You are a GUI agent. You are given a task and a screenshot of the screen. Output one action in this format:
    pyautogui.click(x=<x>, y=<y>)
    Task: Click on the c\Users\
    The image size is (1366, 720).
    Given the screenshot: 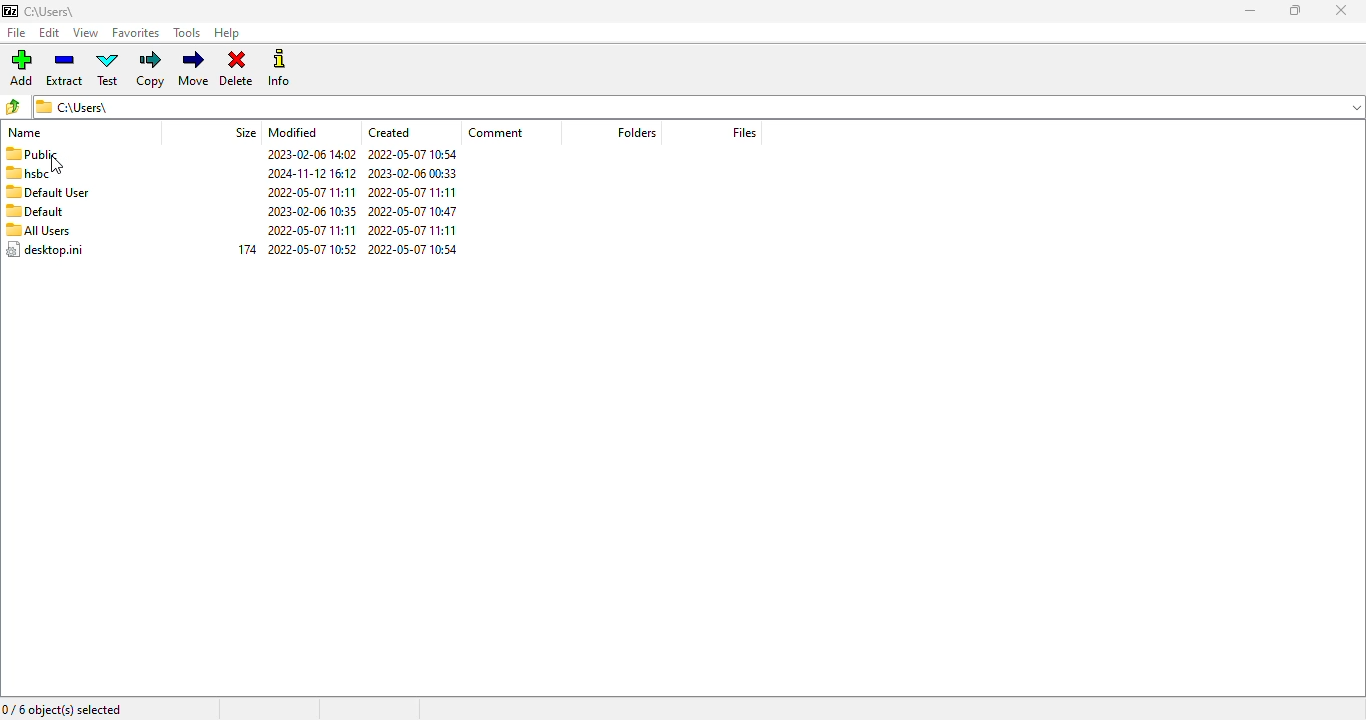 What is the action you would take?
    pyautogui.click(x=695, y=108)
    